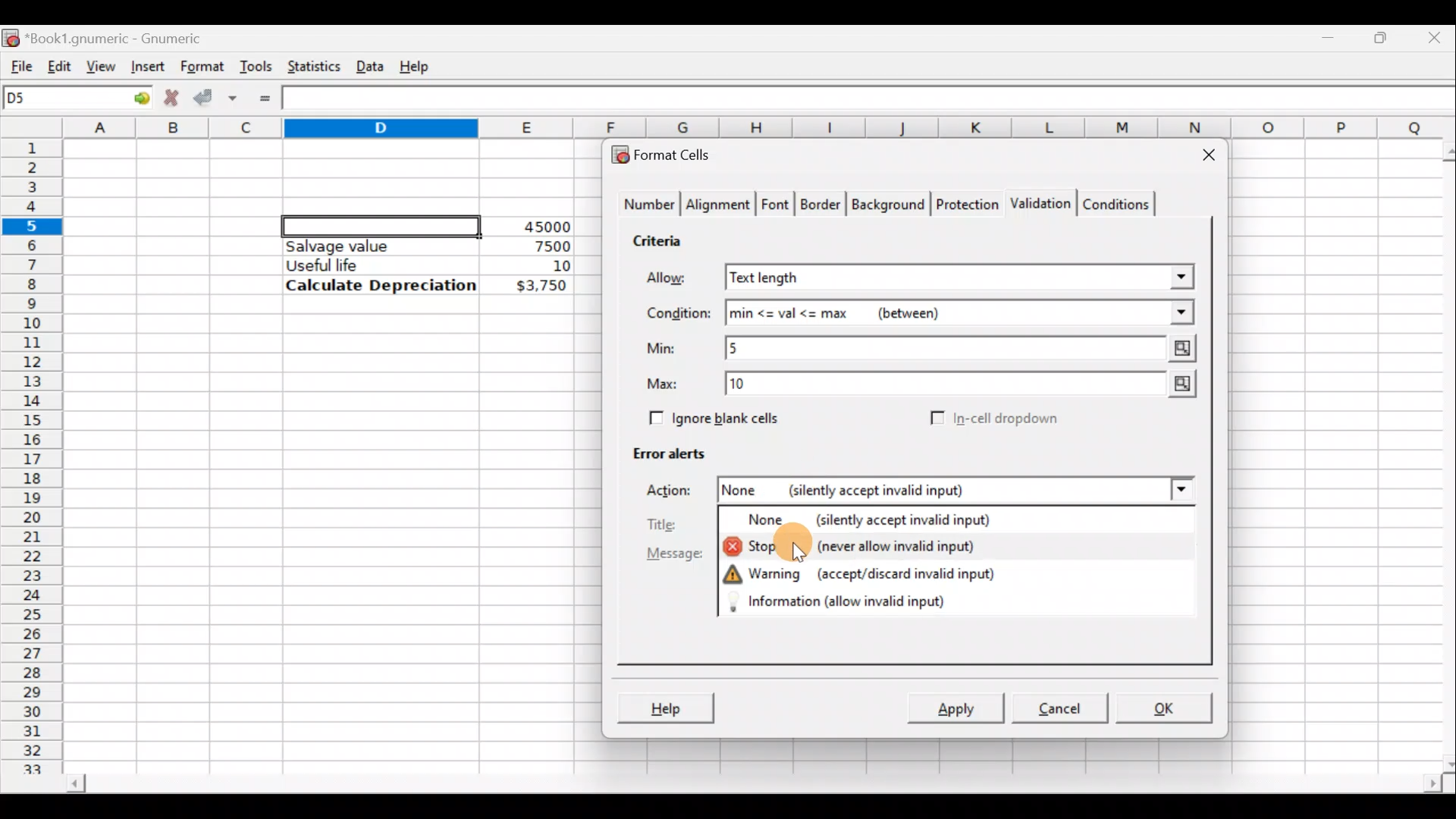 The image size is (1456, 819). What do you see at coordinates (664, 348) in the screenshot?
I see `Min` at bounding box center [664, 348].